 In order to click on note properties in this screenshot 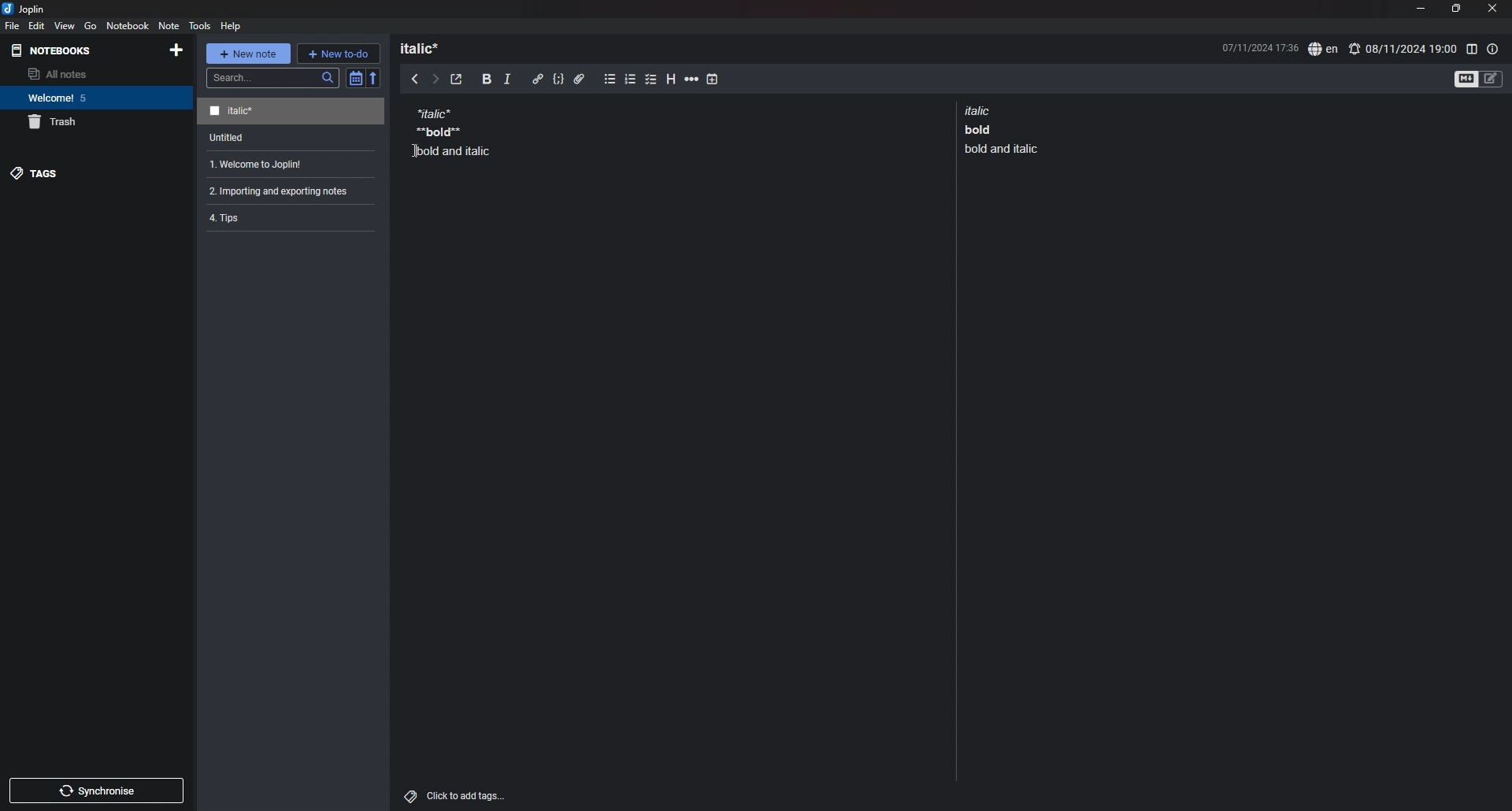, I will do `click(1493, 49)`.